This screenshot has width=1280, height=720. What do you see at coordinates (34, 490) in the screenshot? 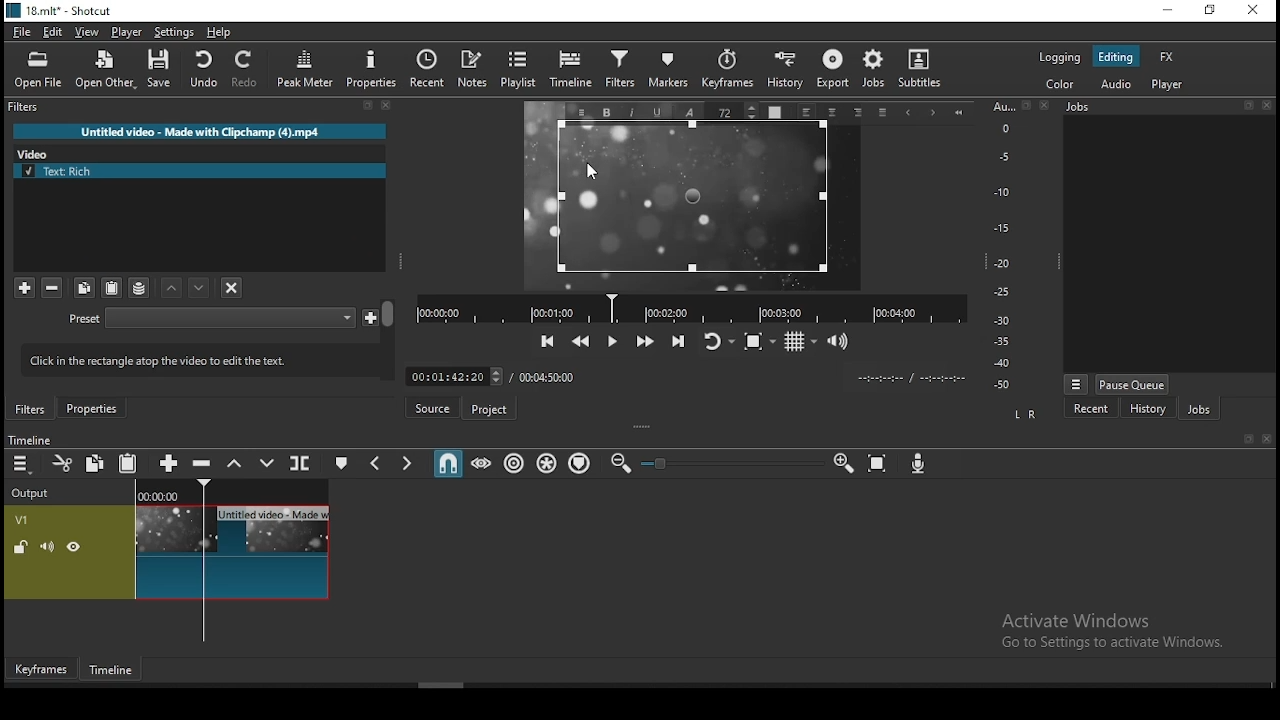
I see `Output` at bounding box center [34, 490].